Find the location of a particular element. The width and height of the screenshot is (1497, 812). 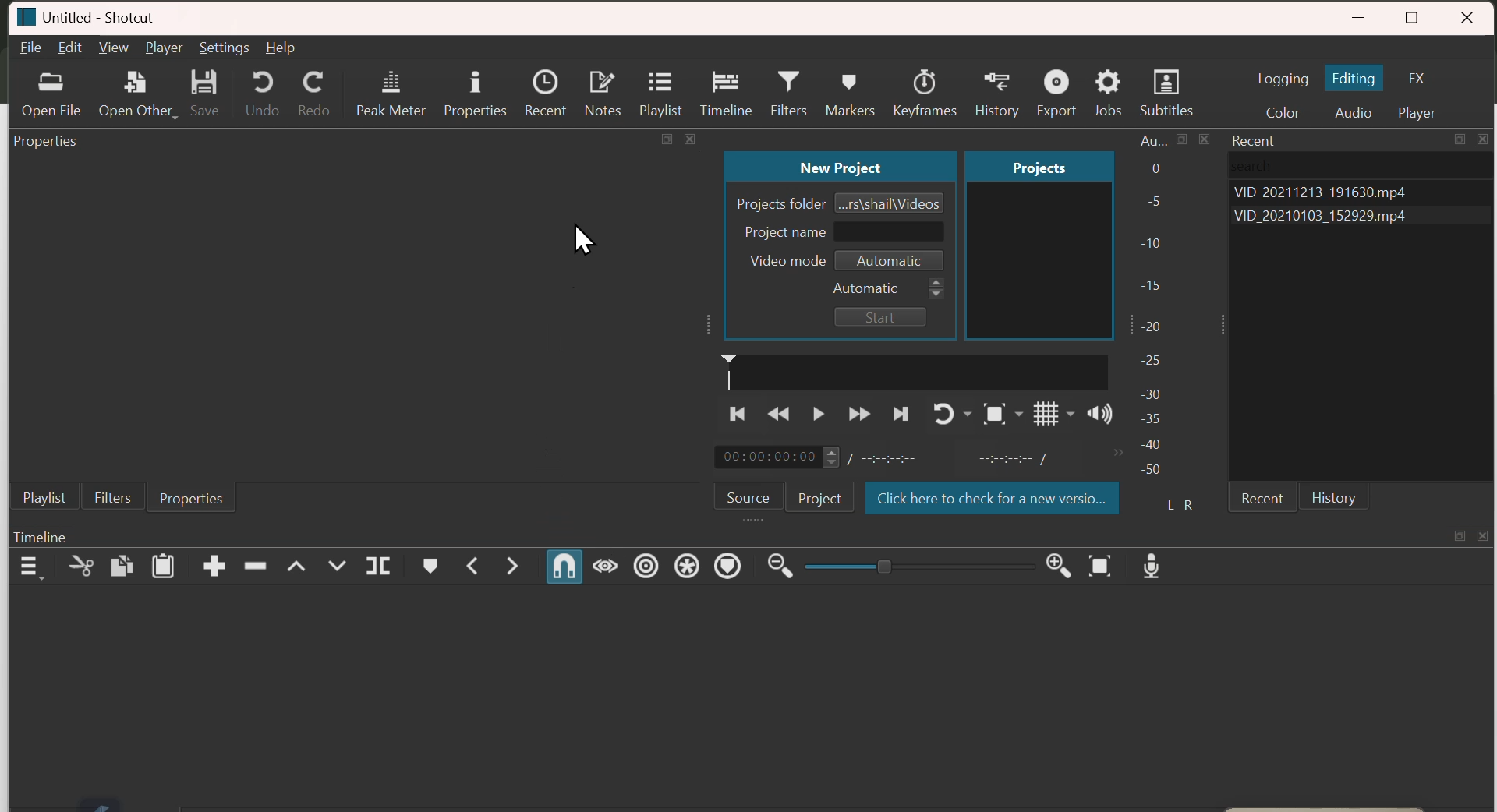

View is located at coordinates (113, 47).